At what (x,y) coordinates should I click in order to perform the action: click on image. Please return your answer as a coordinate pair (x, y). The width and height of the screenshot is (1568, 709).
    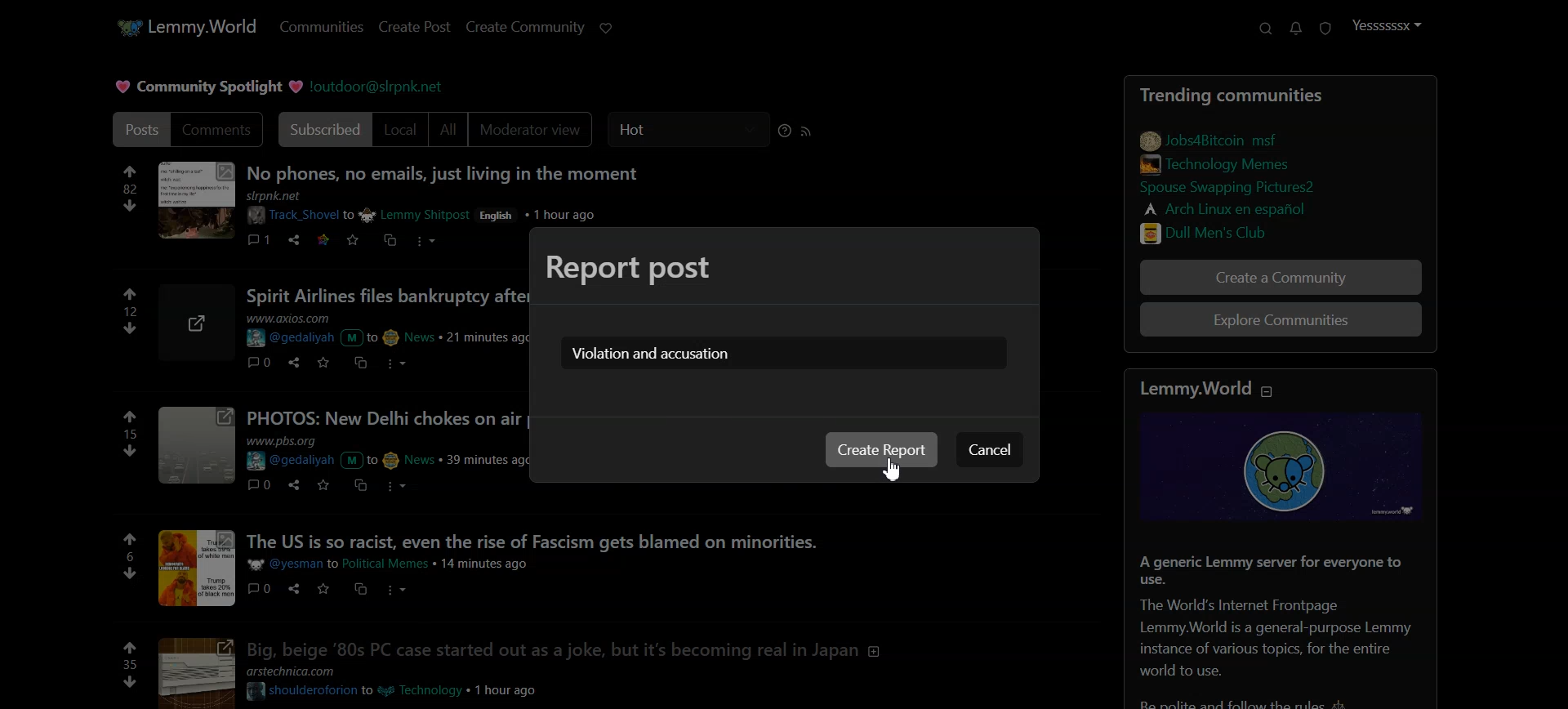
    Looking at the image, I should click on (1288, 468).